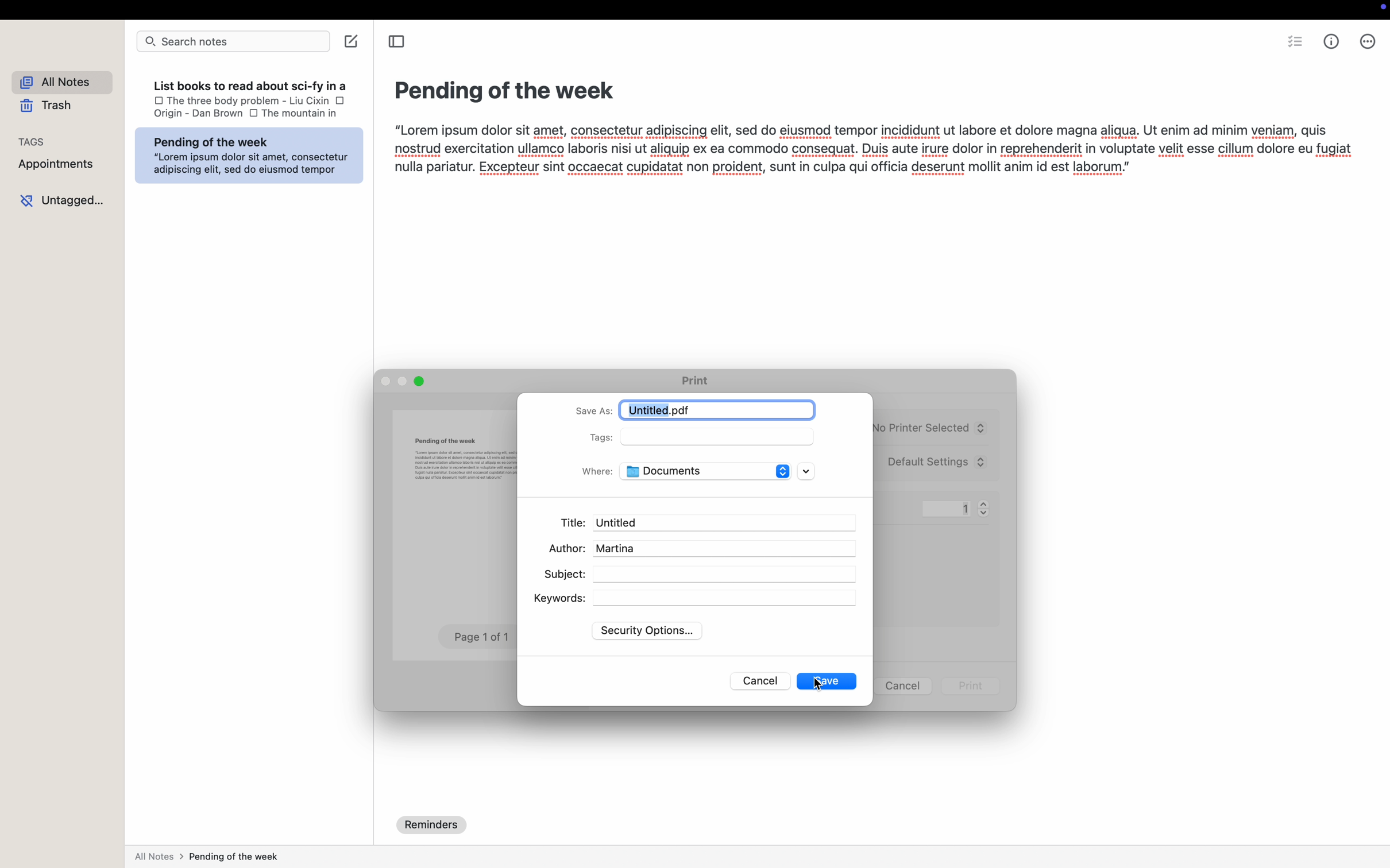 This screenshot has width=1390, height=868. Describe the element at coordinates (57, 169) in the screenshot. I see `appointments` at that location.